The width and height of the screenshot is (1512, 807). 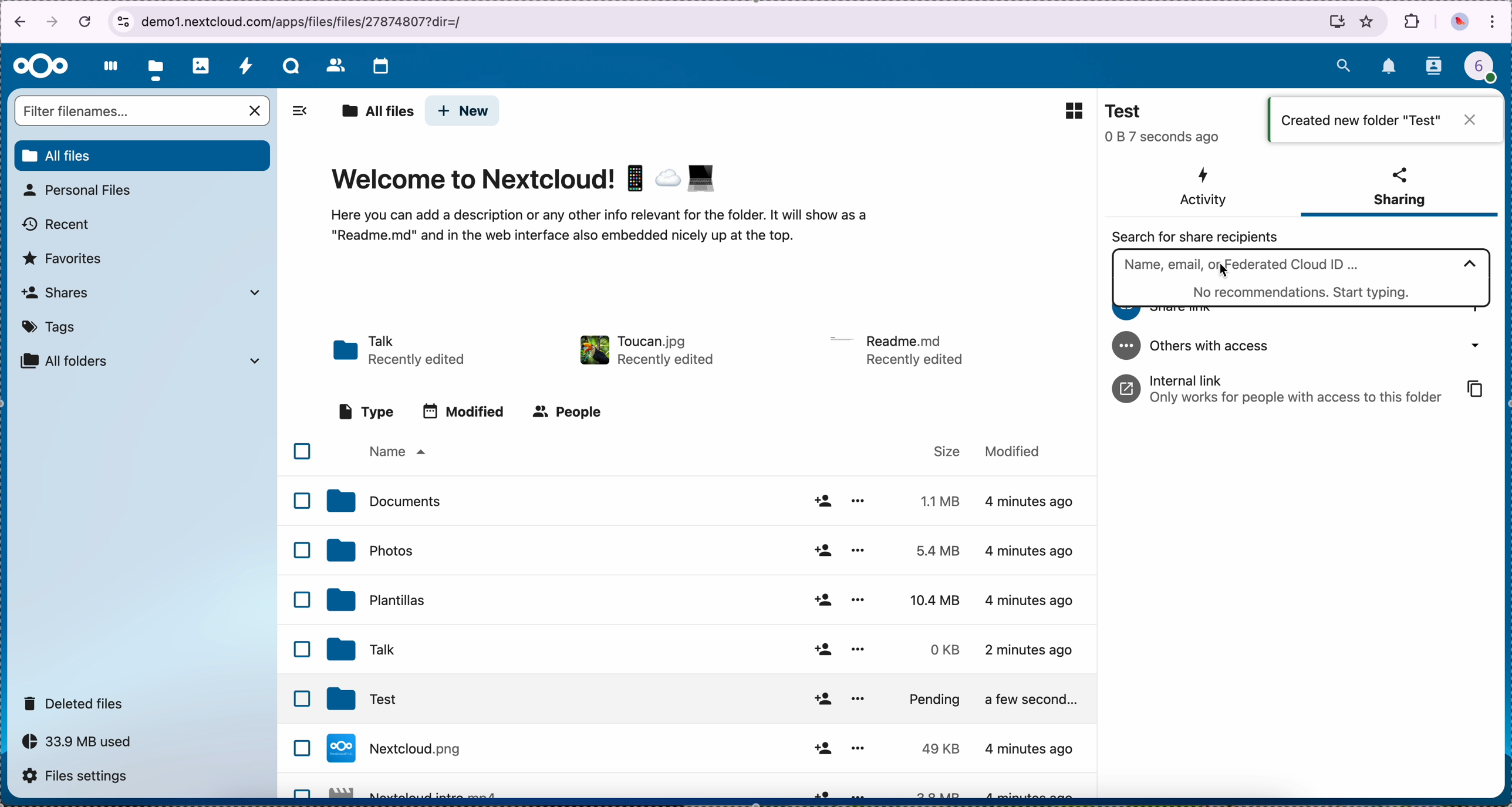 I want to click on file, so click(x=705, y=787).